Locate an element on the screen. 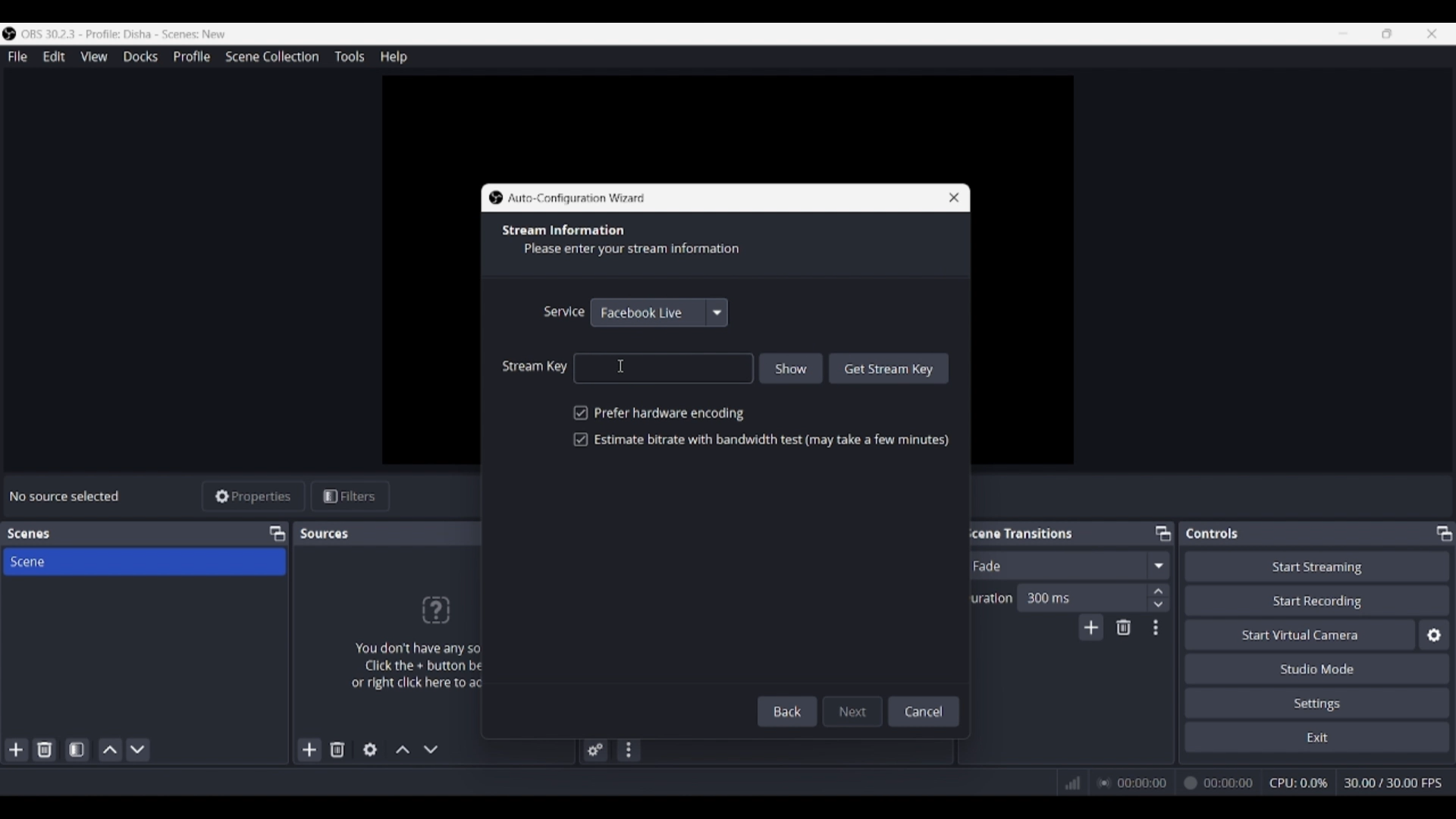 The image size is (1456, 819). Frames per second is located at coordinates (1393, 783).